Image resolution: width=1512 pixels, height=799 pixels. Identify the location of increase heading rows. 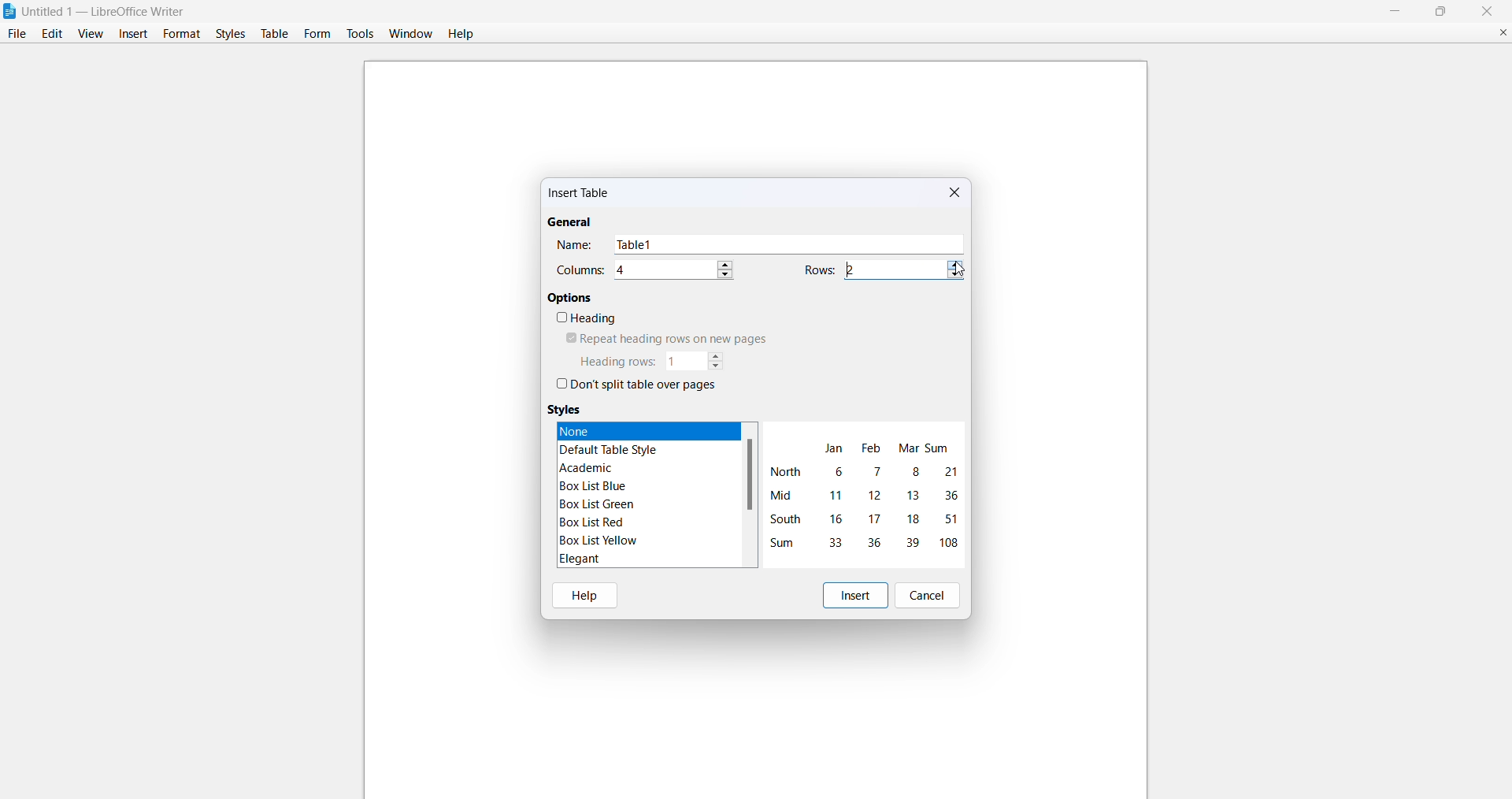
(717, 355).